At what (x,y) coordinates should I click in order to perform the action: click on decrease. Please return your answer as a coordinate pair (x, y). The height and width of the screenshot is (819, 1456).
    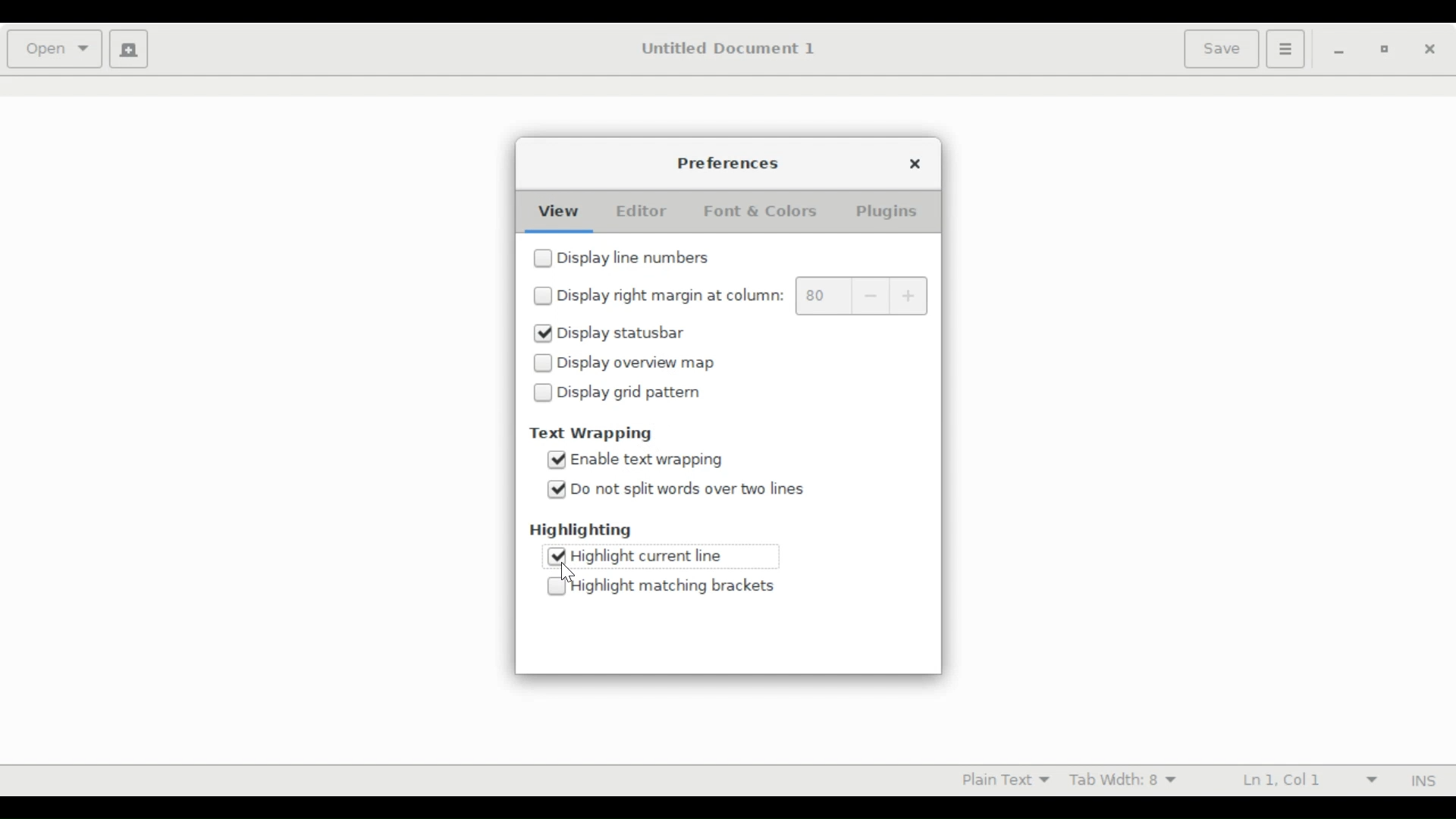
    Looking at the image, I should click on (871, 297).